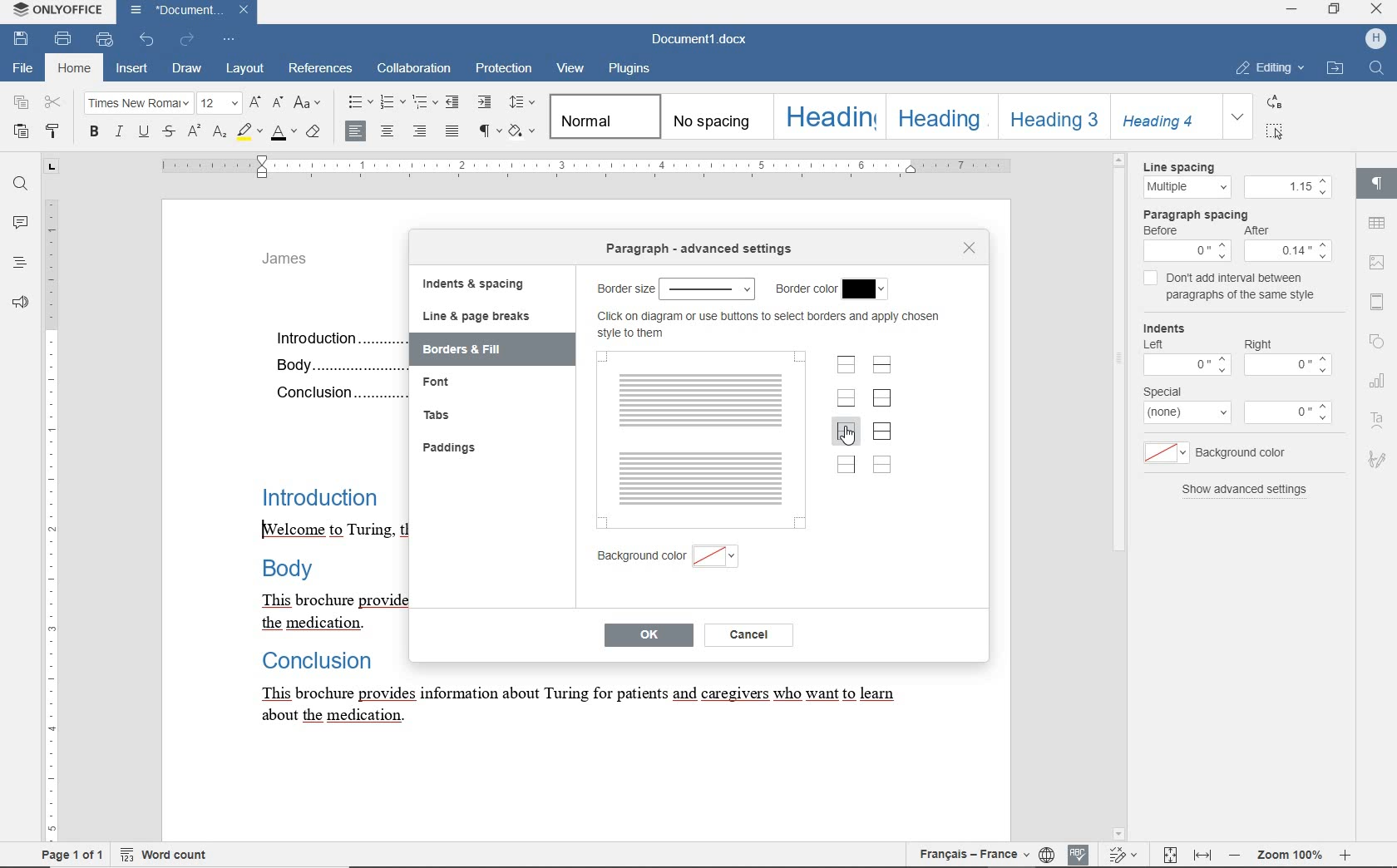 This screenshot has height=868, width=1397. What do you see at coordinates (1078, 854) in the screenshot?
I see `spell checking` at bounding box center [1078, 854].